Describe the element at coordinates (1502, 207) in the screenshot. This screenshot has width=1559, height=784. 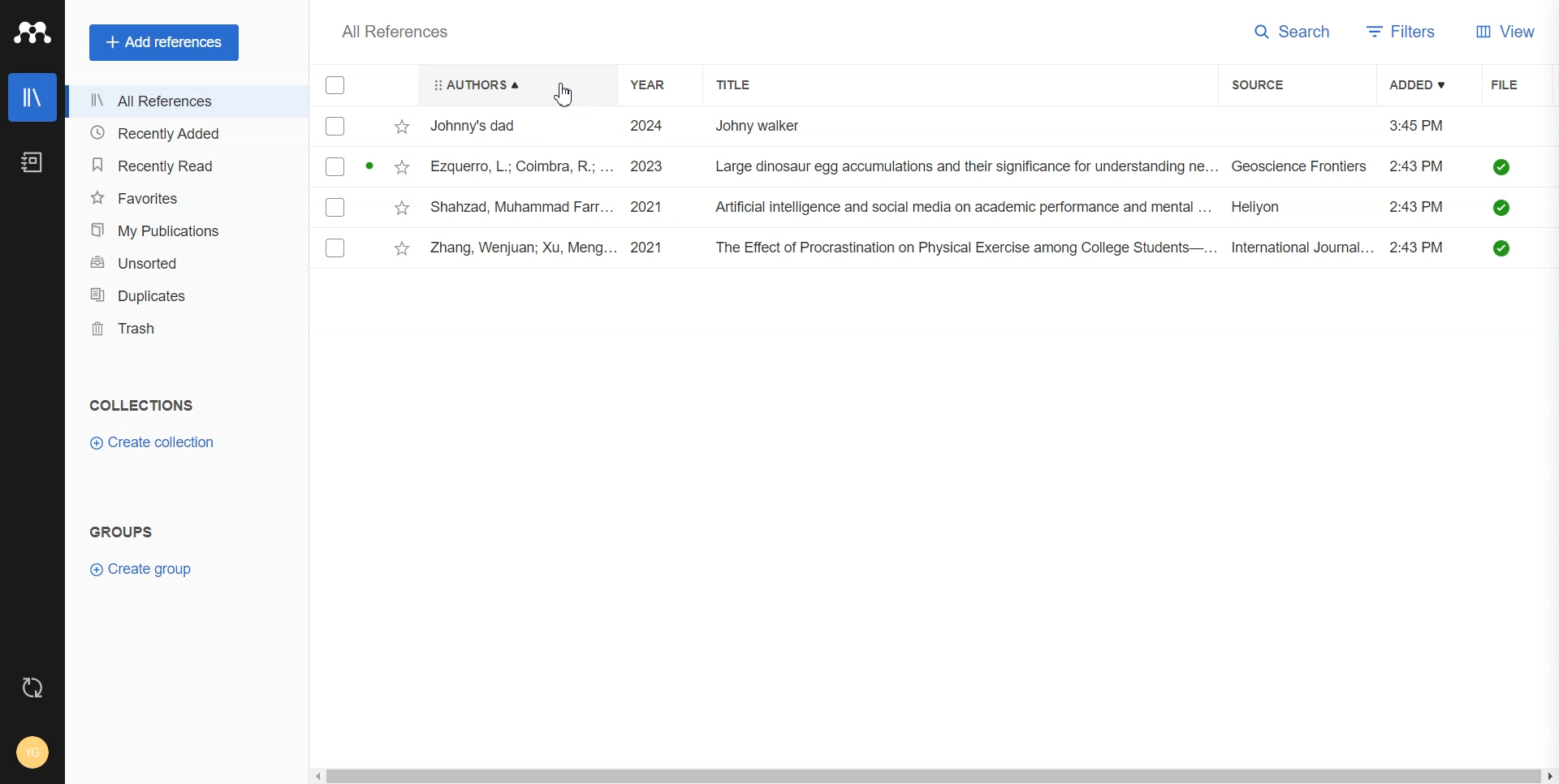
I see `download Check` at that location.